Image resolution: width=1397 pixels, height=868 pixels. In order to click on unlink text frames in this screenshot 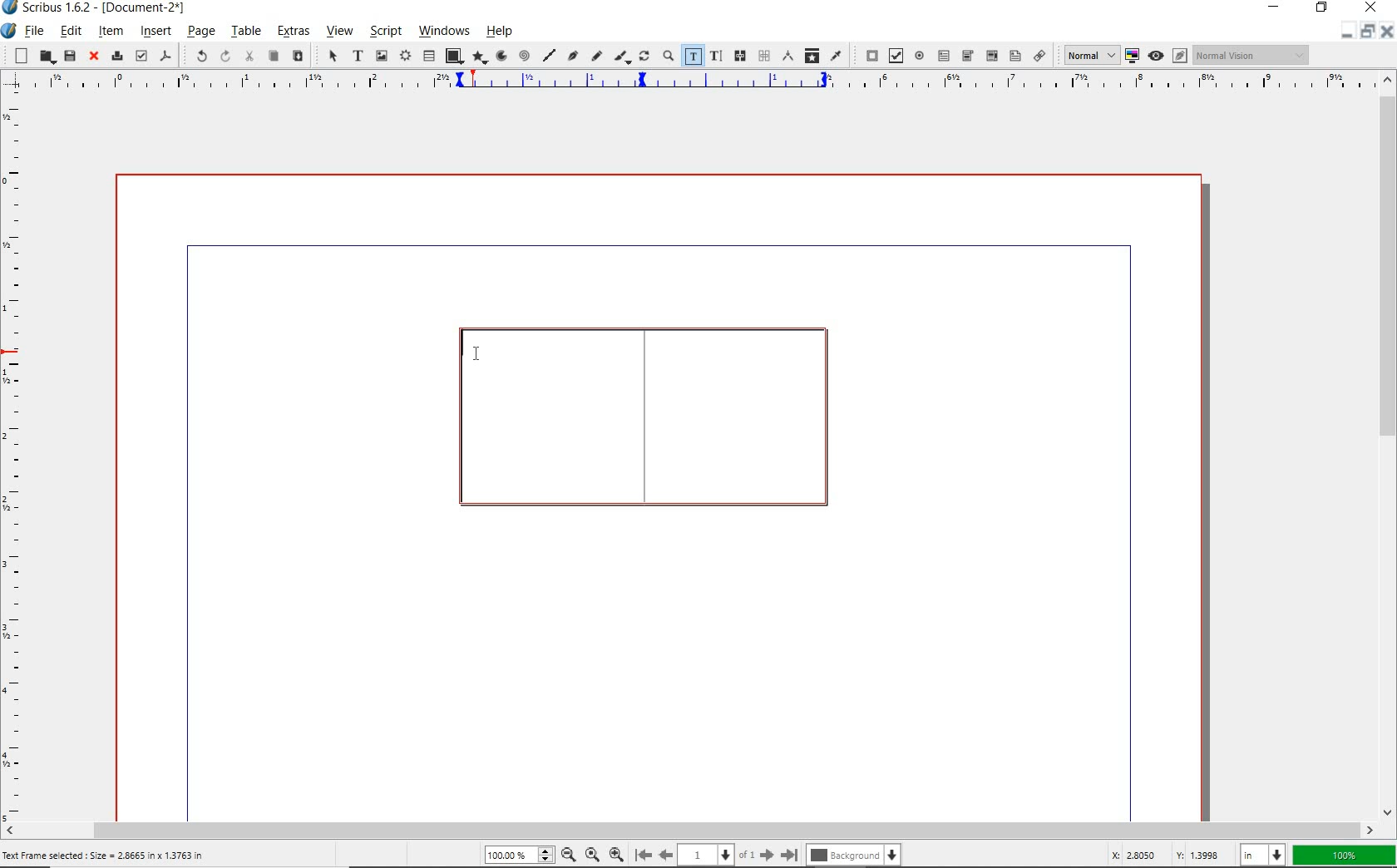, I will do `click(763, 57)`.